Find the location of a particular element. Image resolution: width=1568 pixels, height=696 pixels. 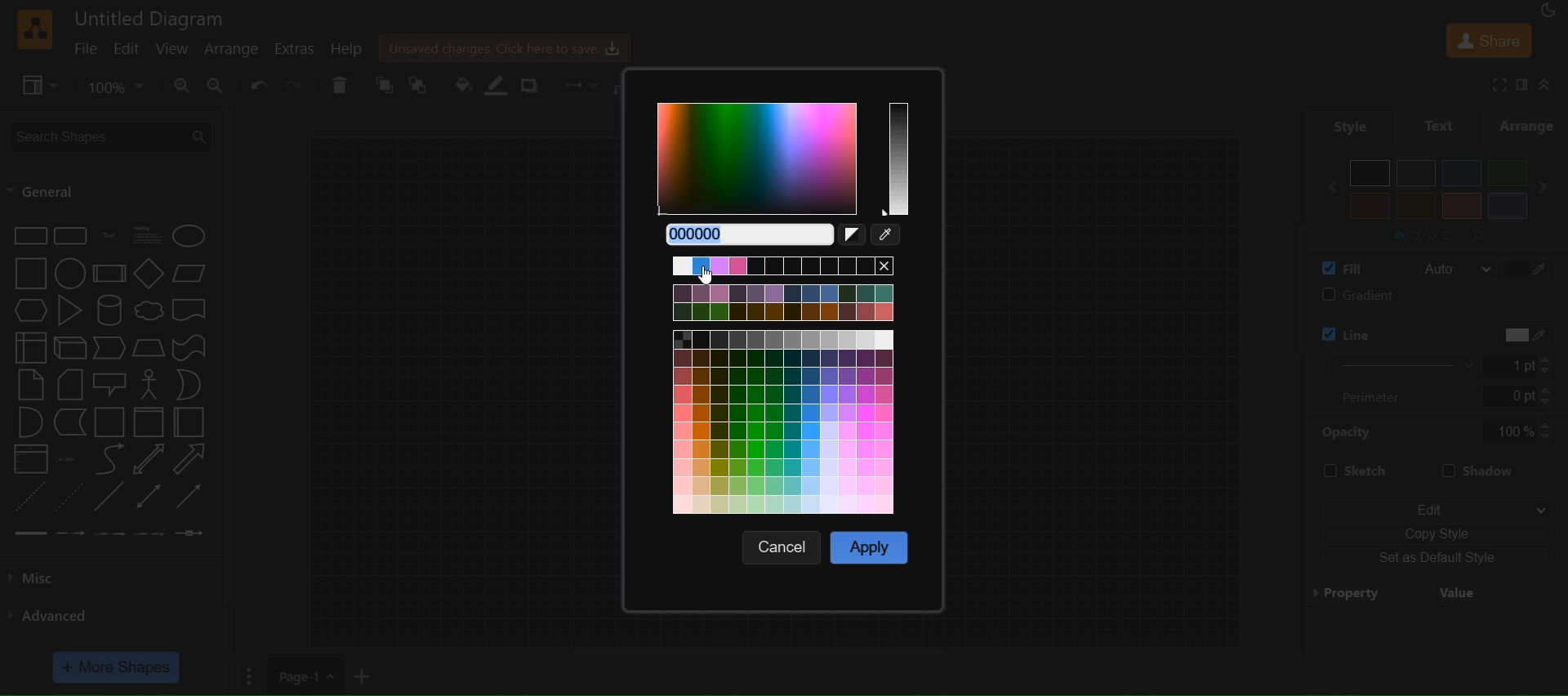

and is located at coordinates (29, 424).